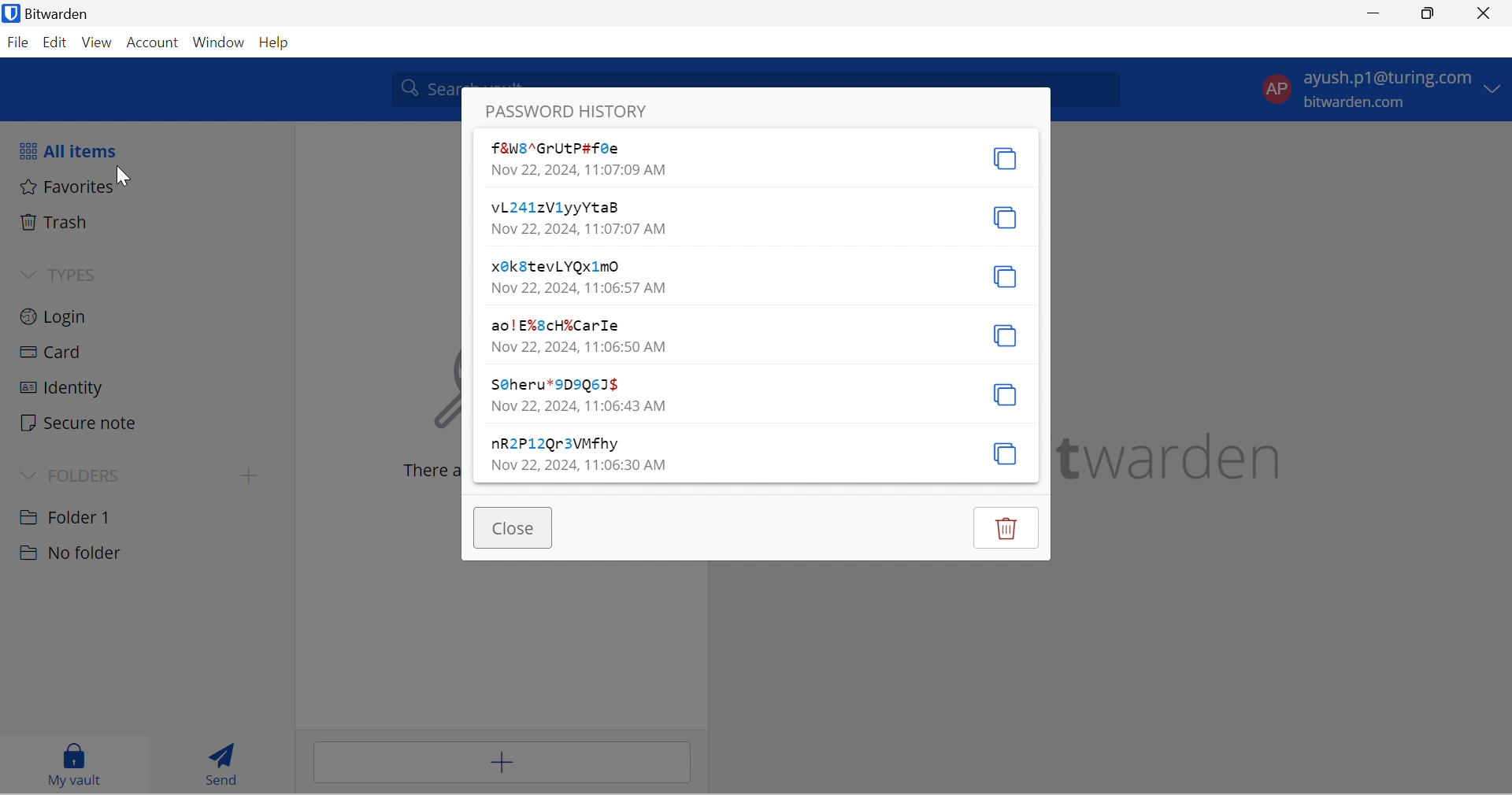  Describe the element at coordinates (1005, 335) in the screenshot. I see `Copy` at that location.